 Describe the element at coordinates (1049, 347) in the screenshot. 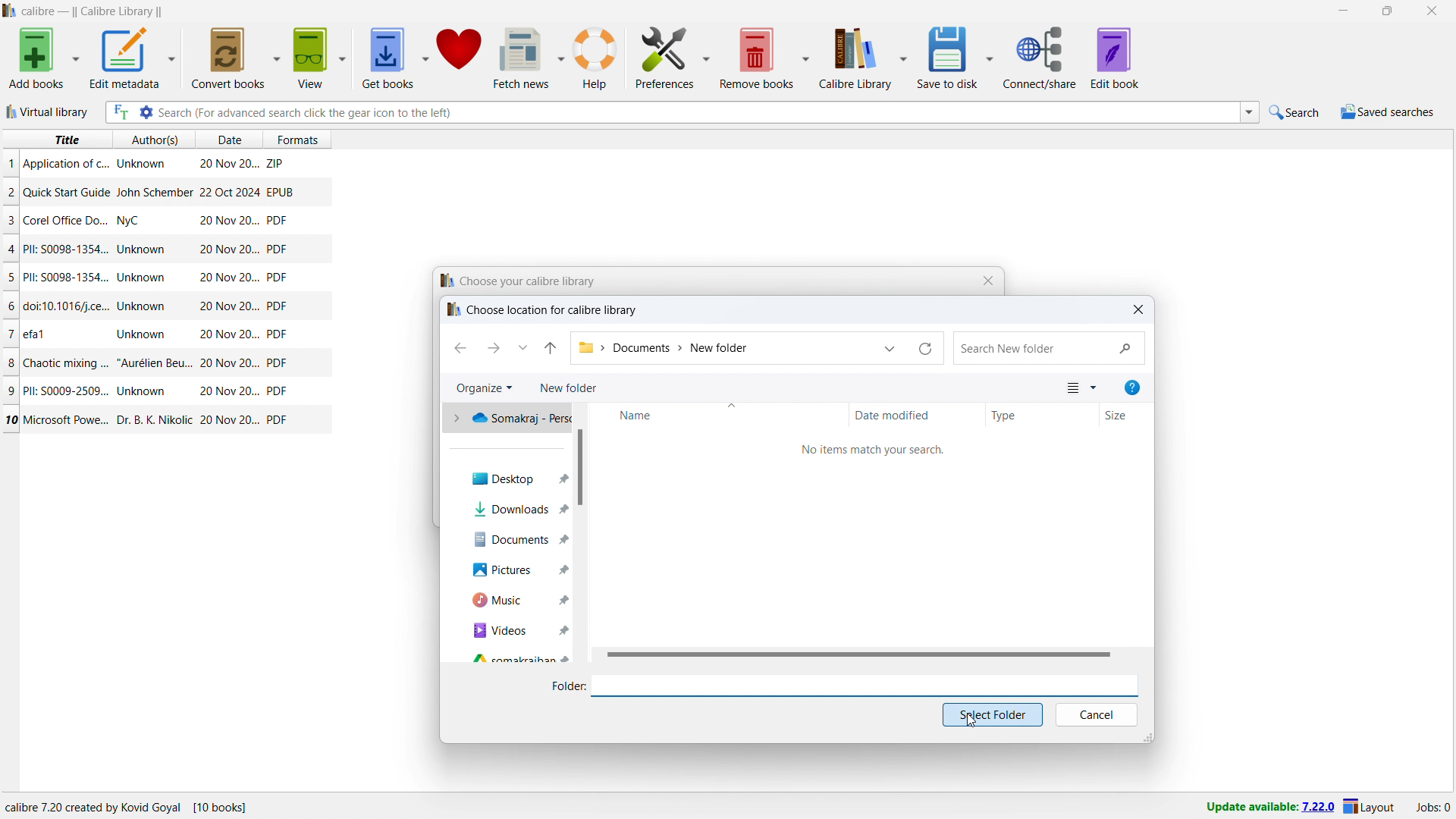

I see `search` at that location.